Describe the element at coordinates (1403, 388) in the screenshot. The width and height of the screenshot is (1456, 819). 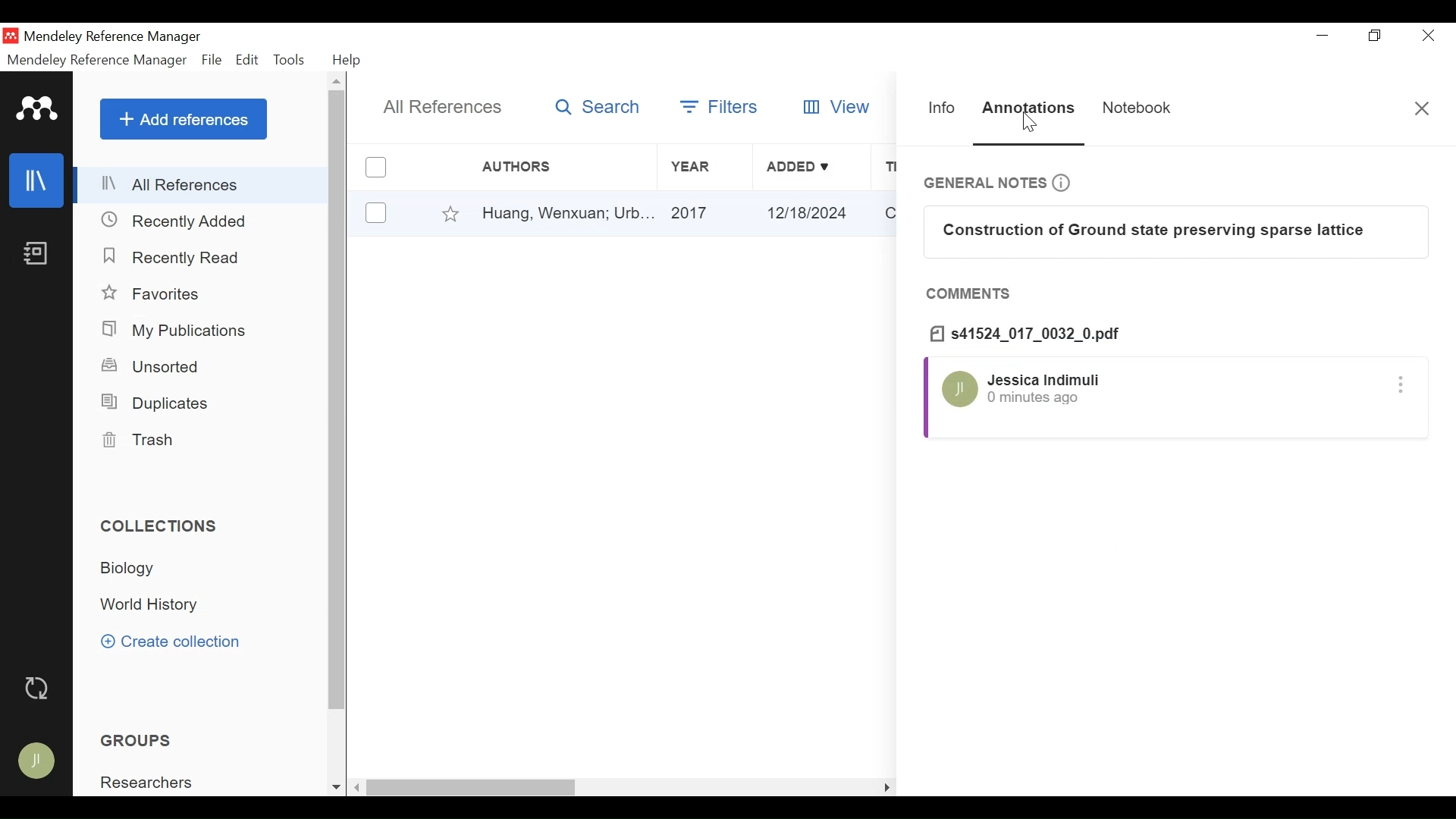
I see `more` at that location.